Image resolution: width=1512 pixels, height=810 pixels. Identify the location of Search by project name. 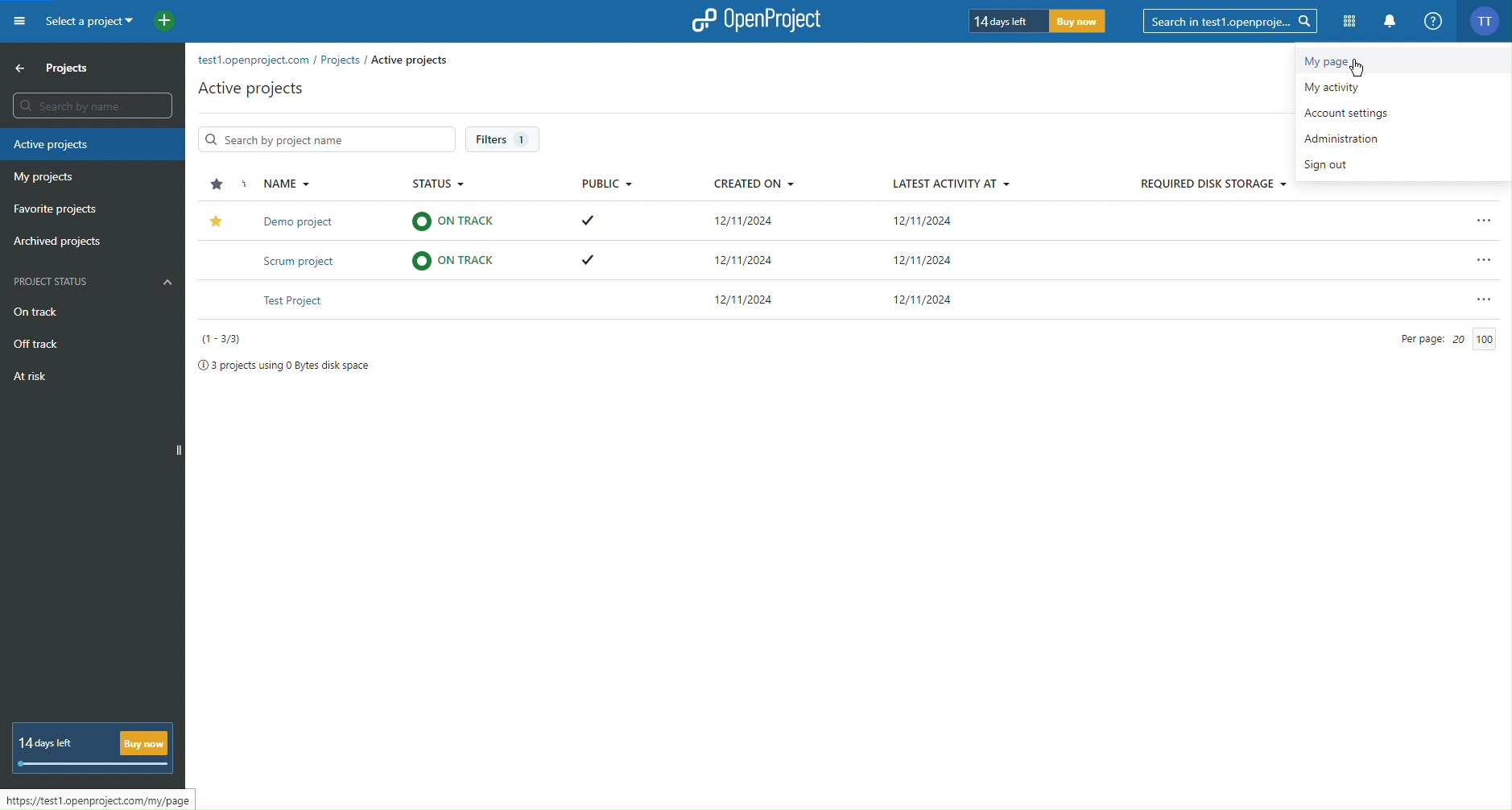
(329, 138).